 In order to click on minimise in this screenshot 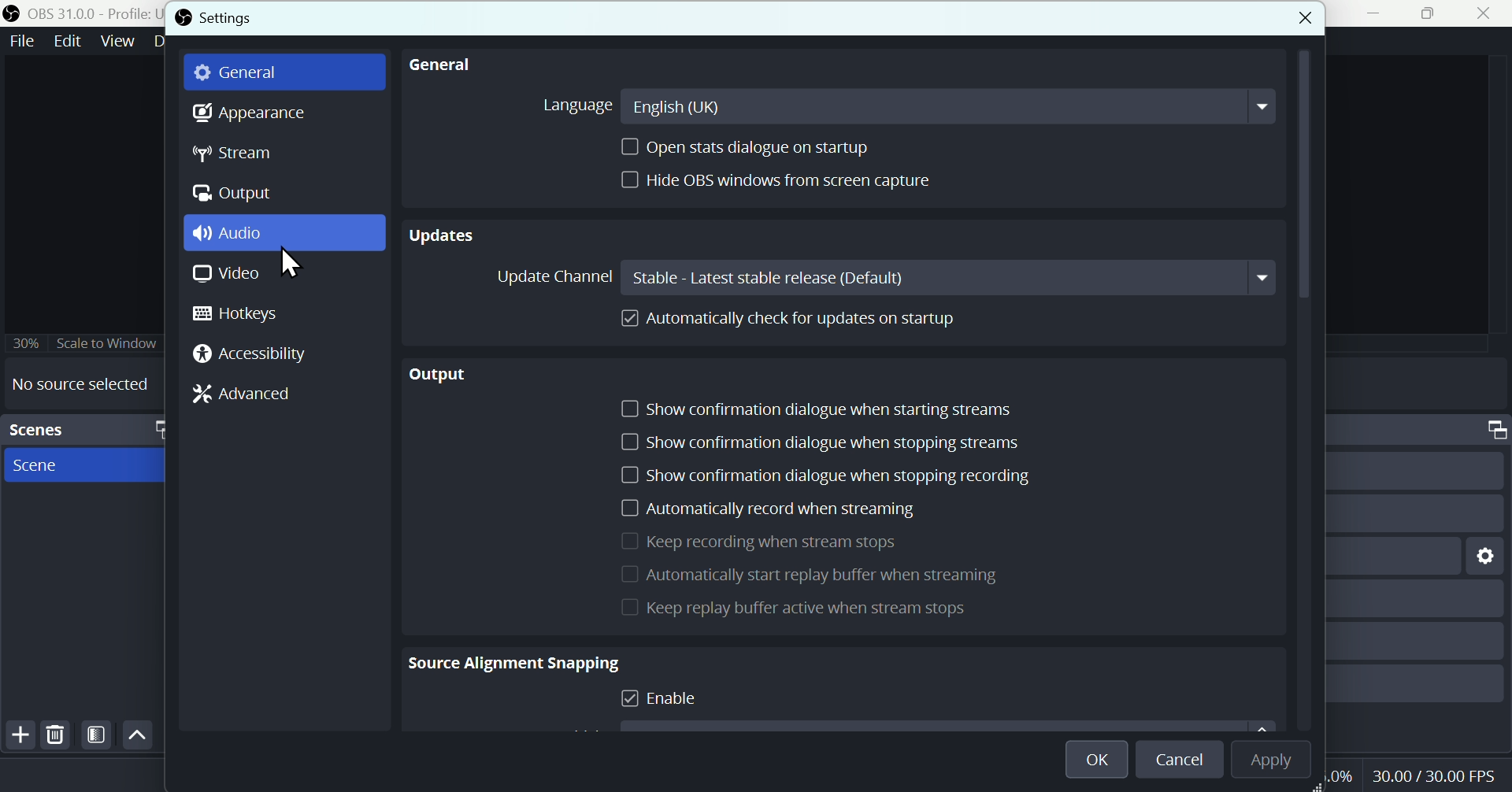, I will do `click(1368, 13)`.